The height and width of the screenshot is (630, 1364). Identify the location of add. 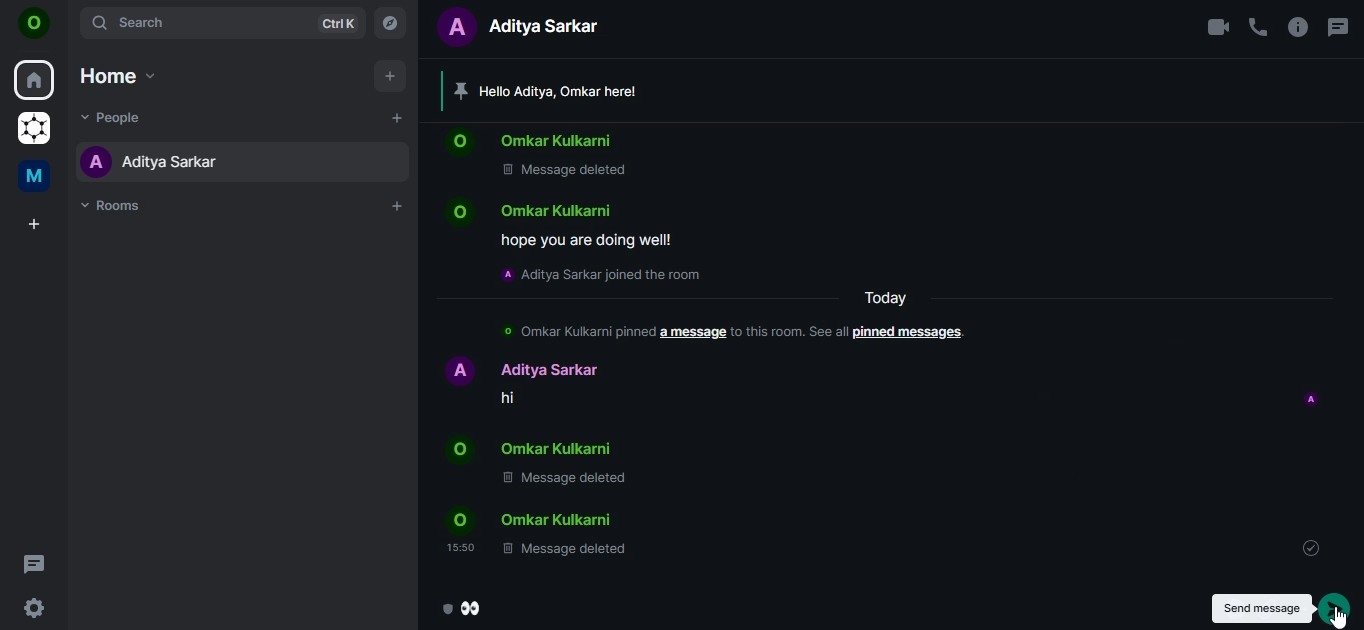
(390, 77).